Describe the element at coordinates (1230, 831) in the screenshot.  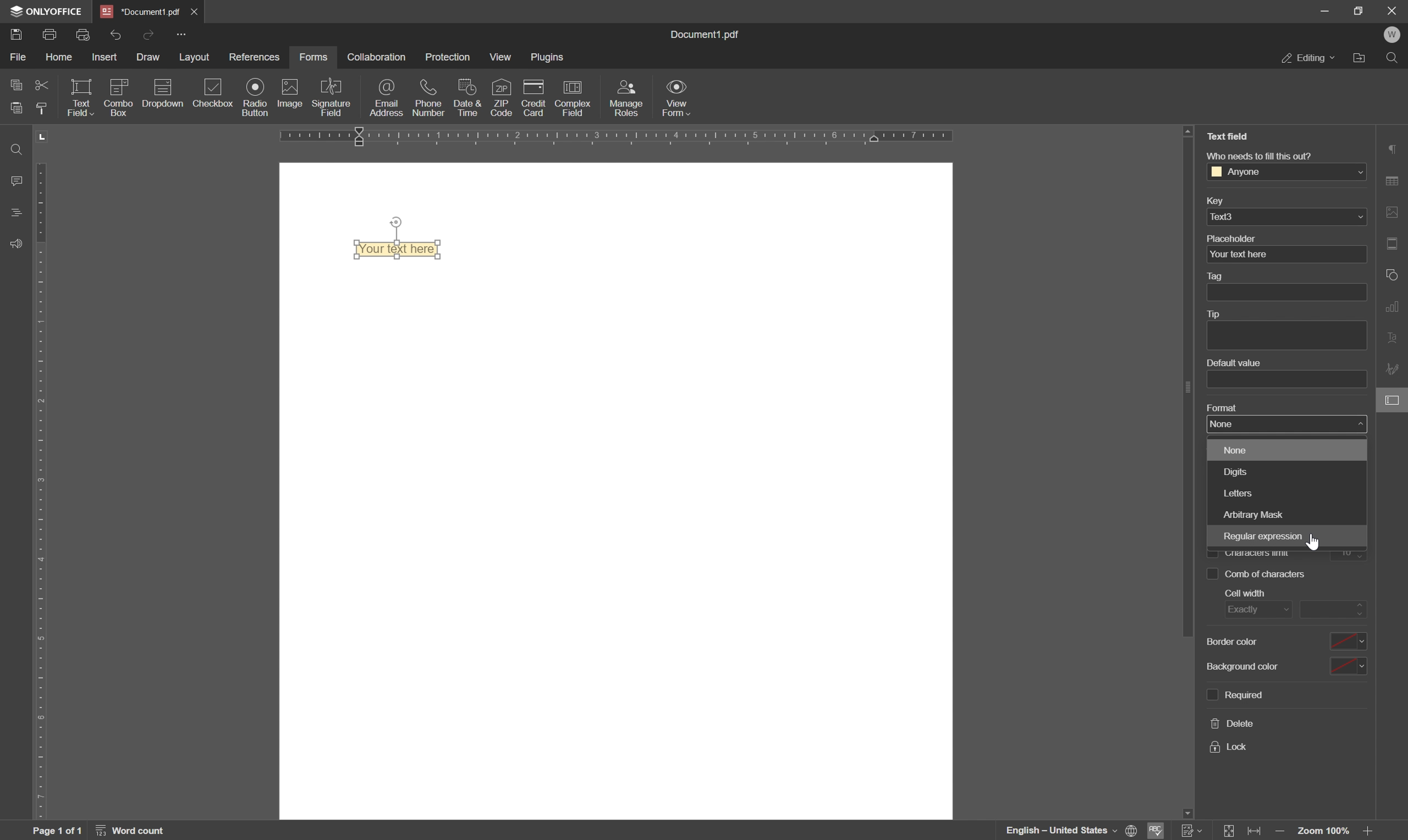
I see `fit to slide` at that location.